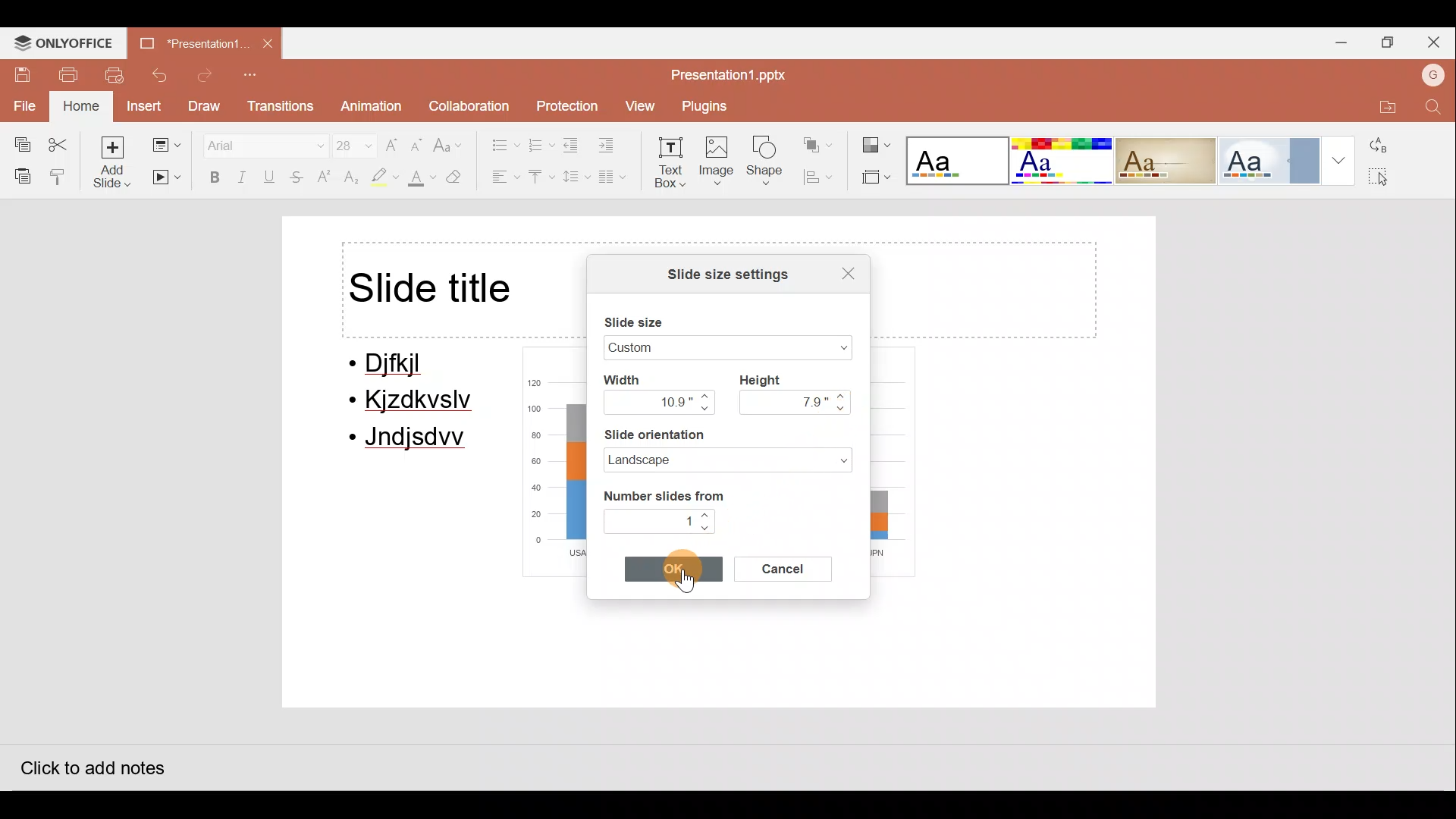  I want to click on Collaboration, so click(468, 102).